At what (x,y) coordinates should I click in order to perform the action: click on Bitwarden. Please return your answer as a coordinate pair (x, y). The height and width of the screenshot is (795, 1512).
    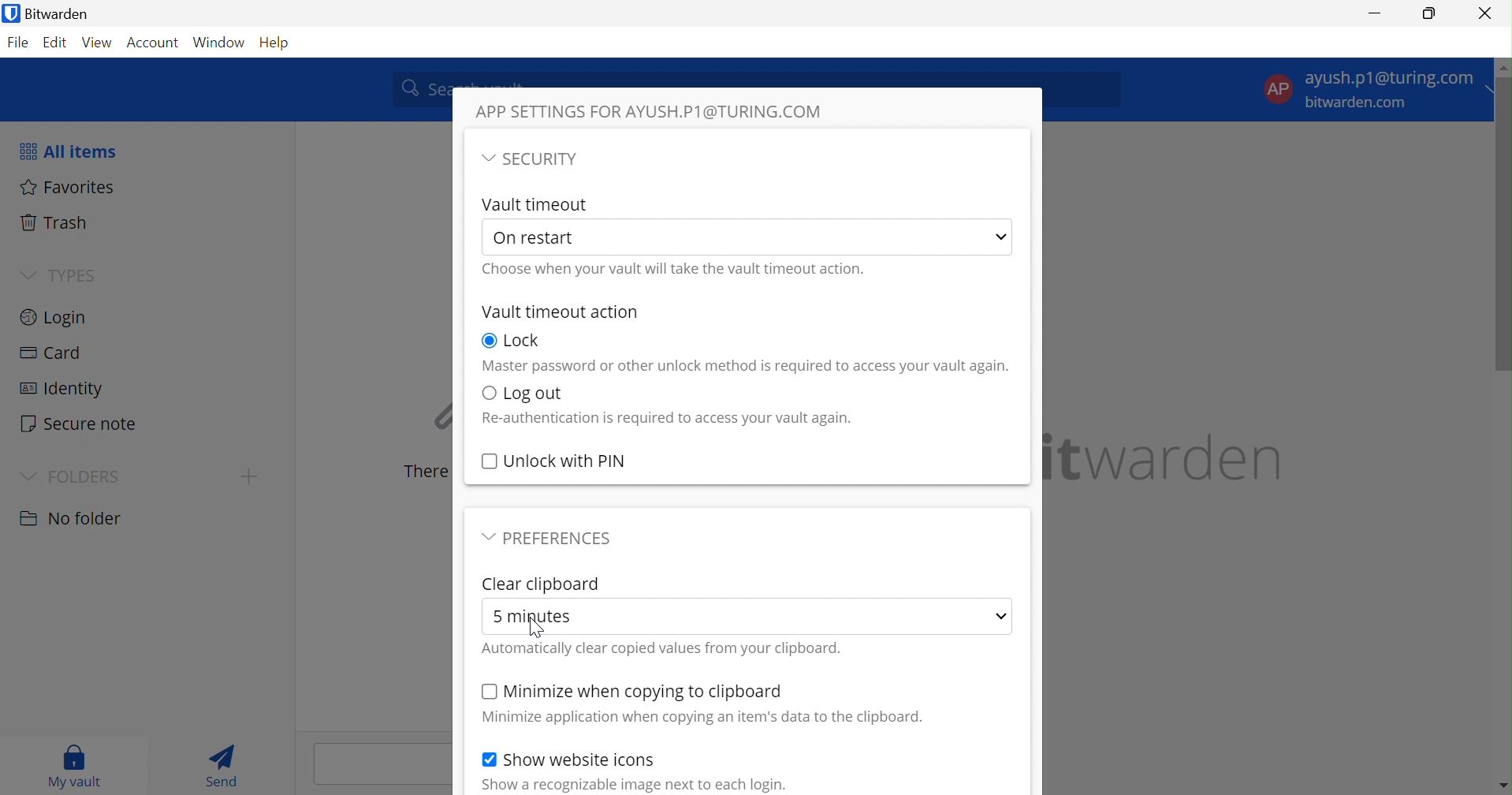
    Looking at the image, I should click on (51, 13).